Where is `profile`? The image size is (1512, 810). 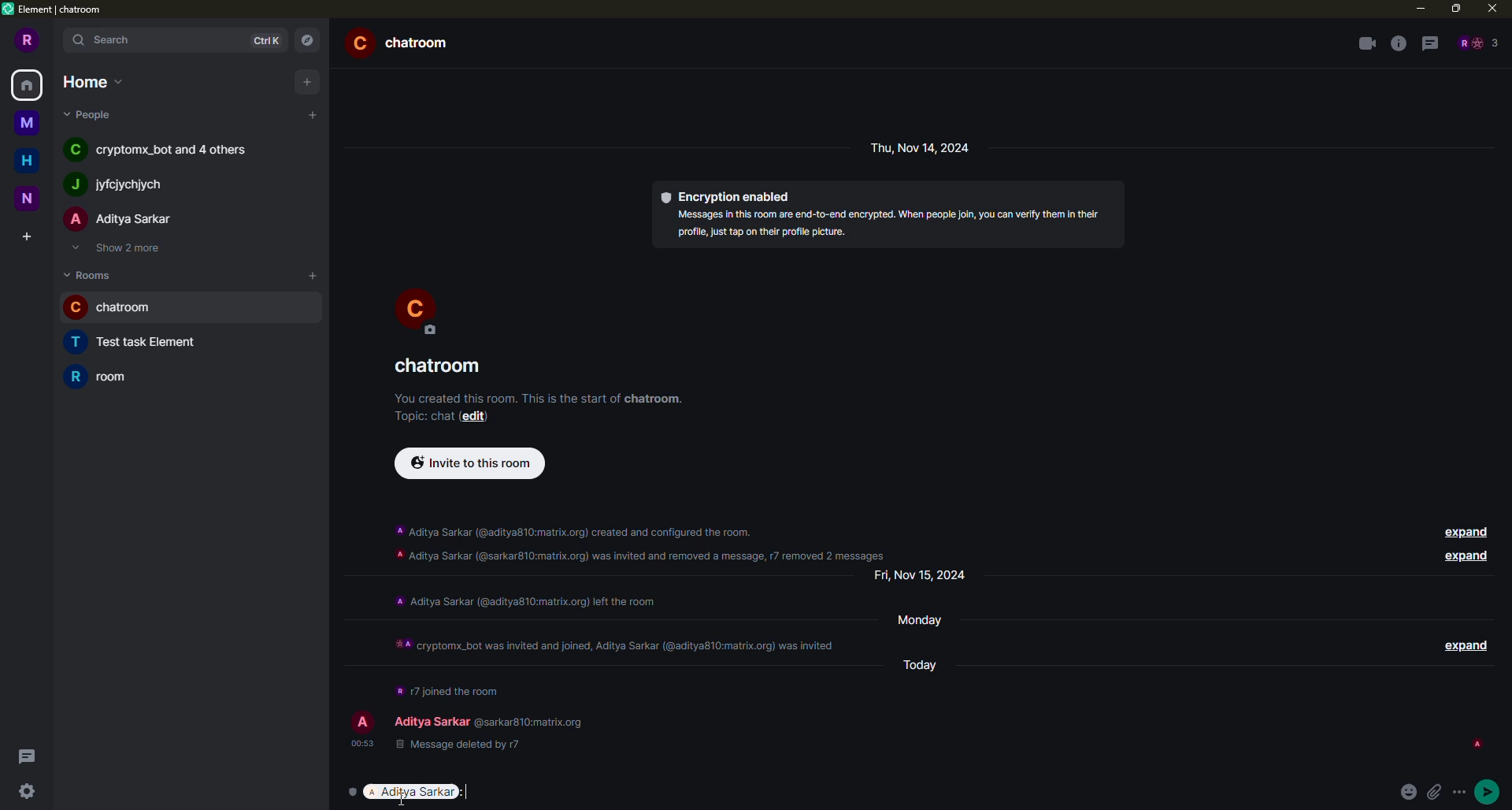 profile is located at coordinates (361, 722).